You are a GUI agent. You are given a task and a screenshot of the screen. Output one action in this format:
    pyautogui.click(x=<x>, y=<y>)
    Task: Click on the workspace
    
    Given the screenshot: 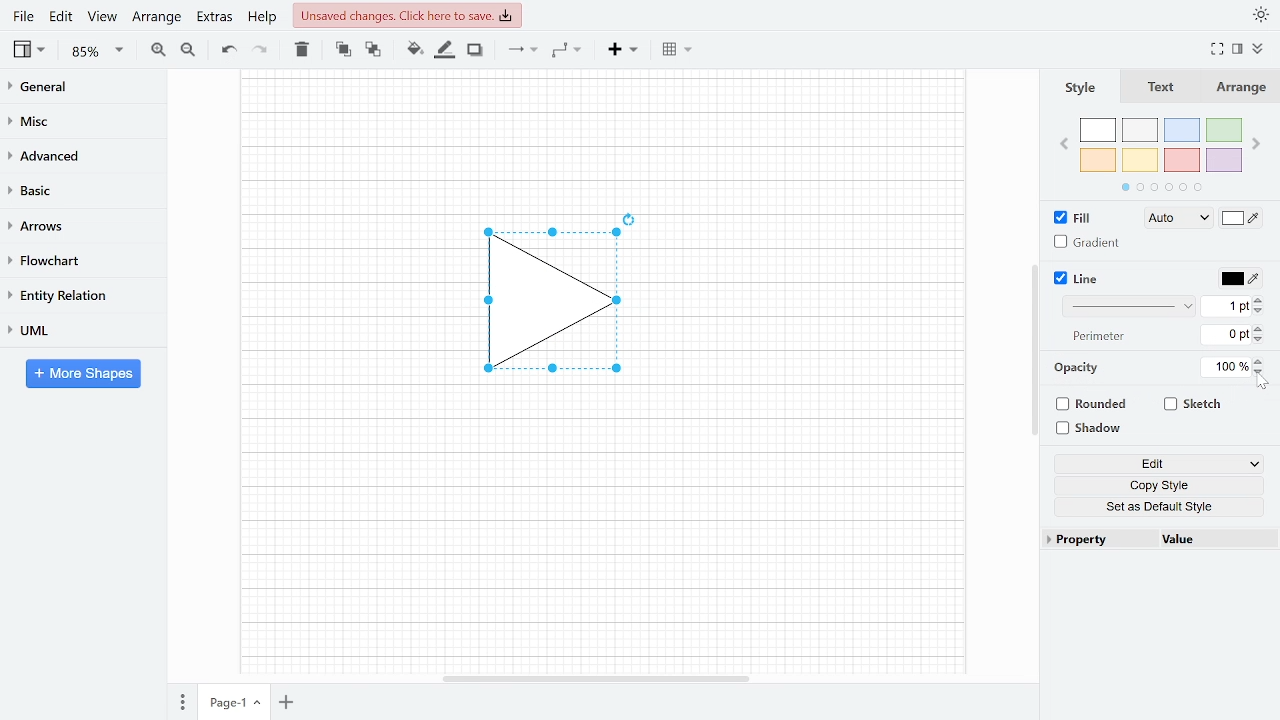 What is the action you would take?
    pyautogui.click(x=601, y=535)
    